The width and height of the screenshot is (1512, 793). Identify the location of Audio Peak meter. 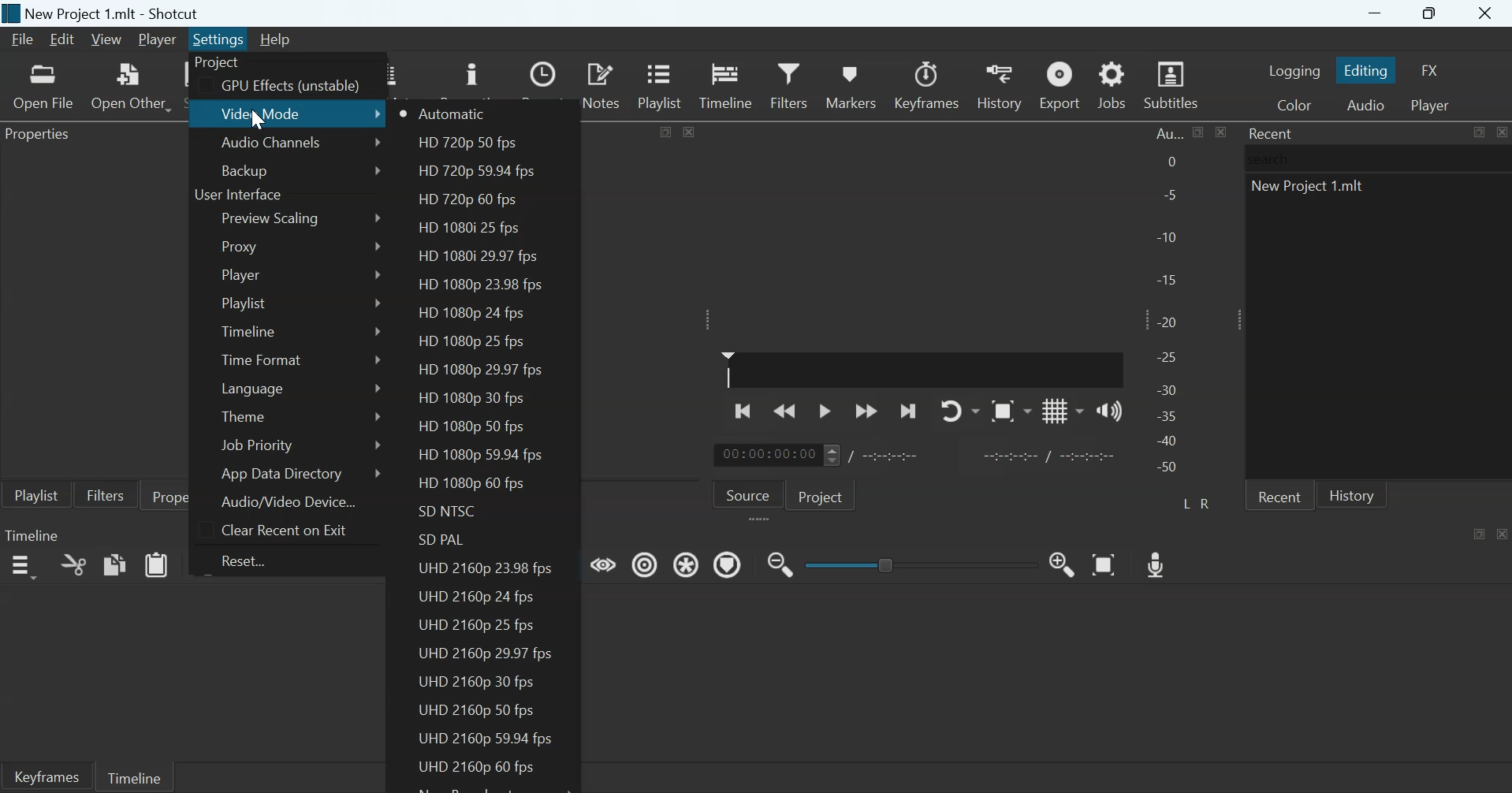
(1169, 303).